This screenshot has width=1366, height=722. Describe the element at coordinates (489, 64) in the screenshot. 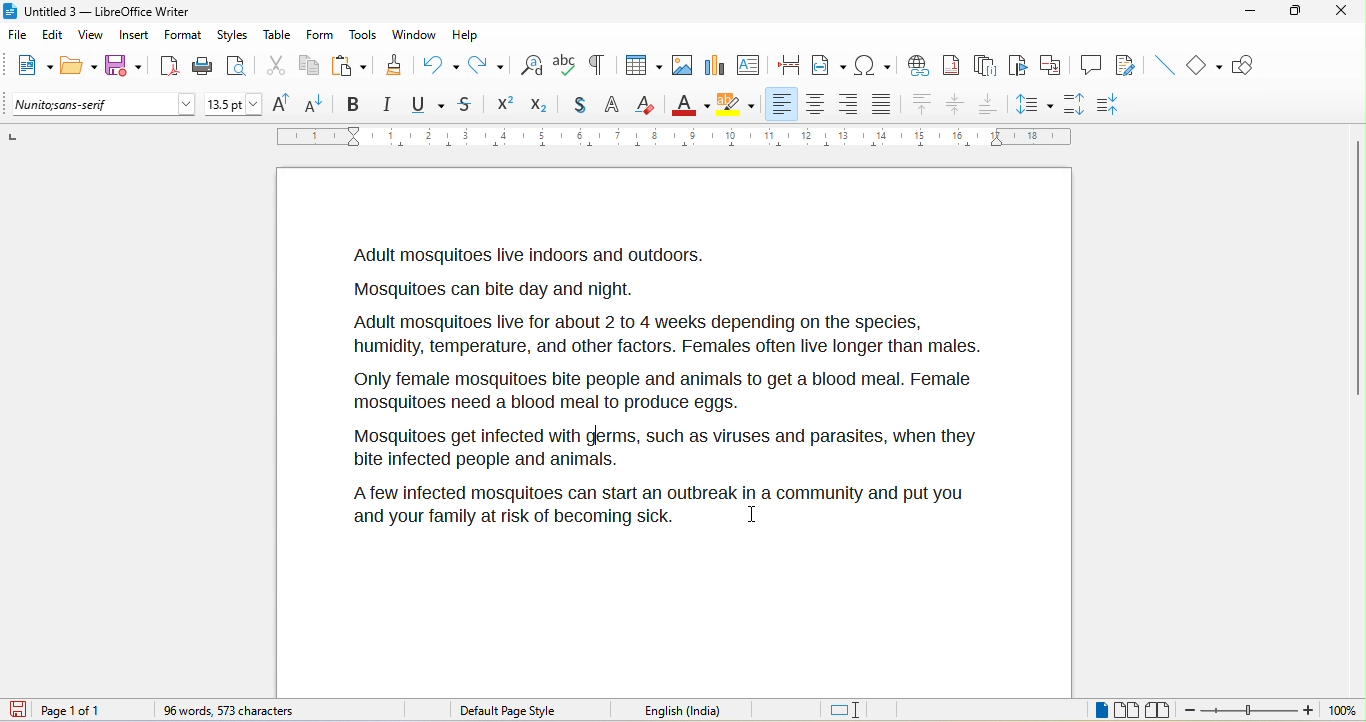

I see `redo` at that location.